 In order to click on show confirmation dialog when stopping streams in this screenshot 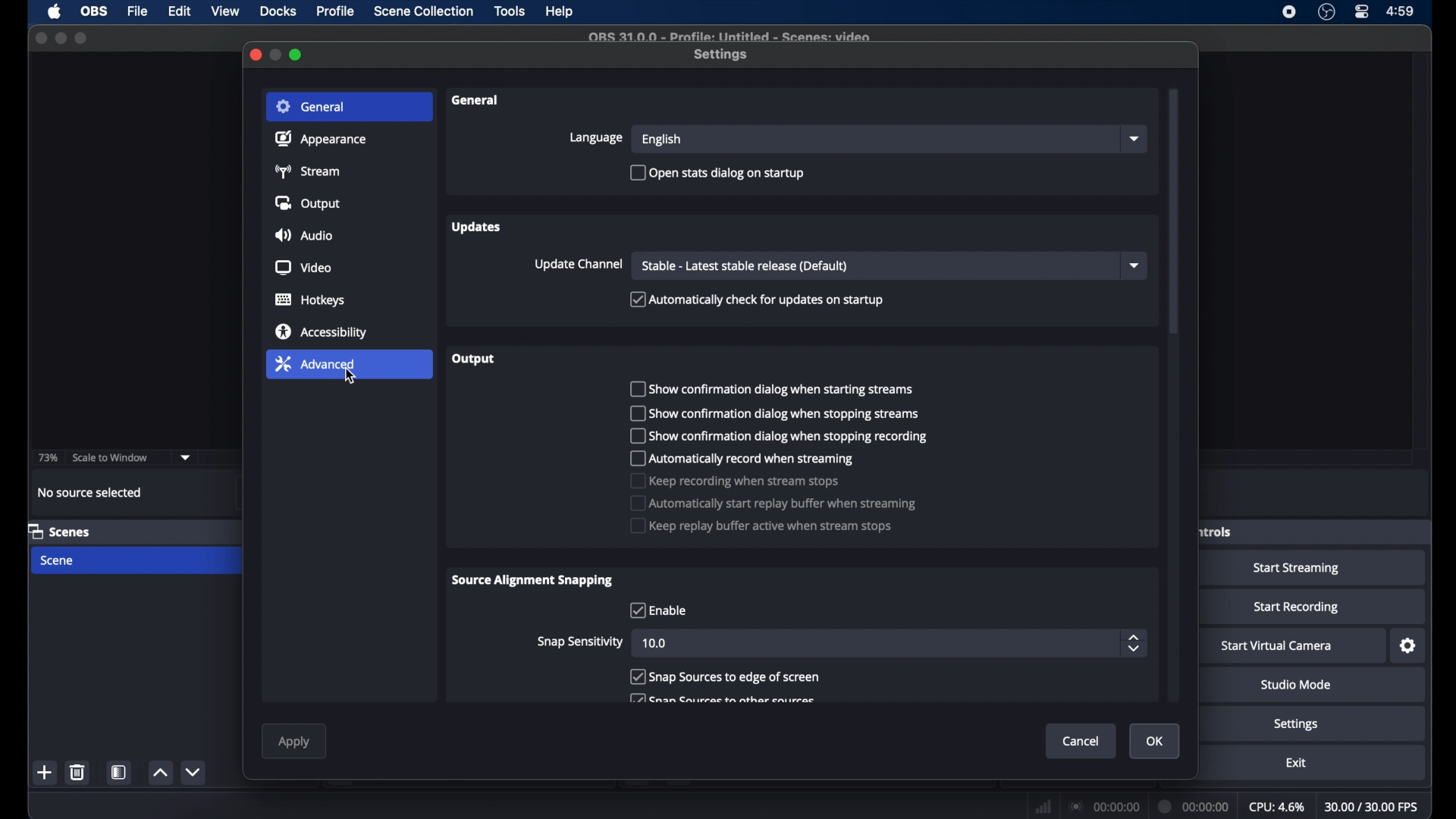, I will do `click(777, 413)`.